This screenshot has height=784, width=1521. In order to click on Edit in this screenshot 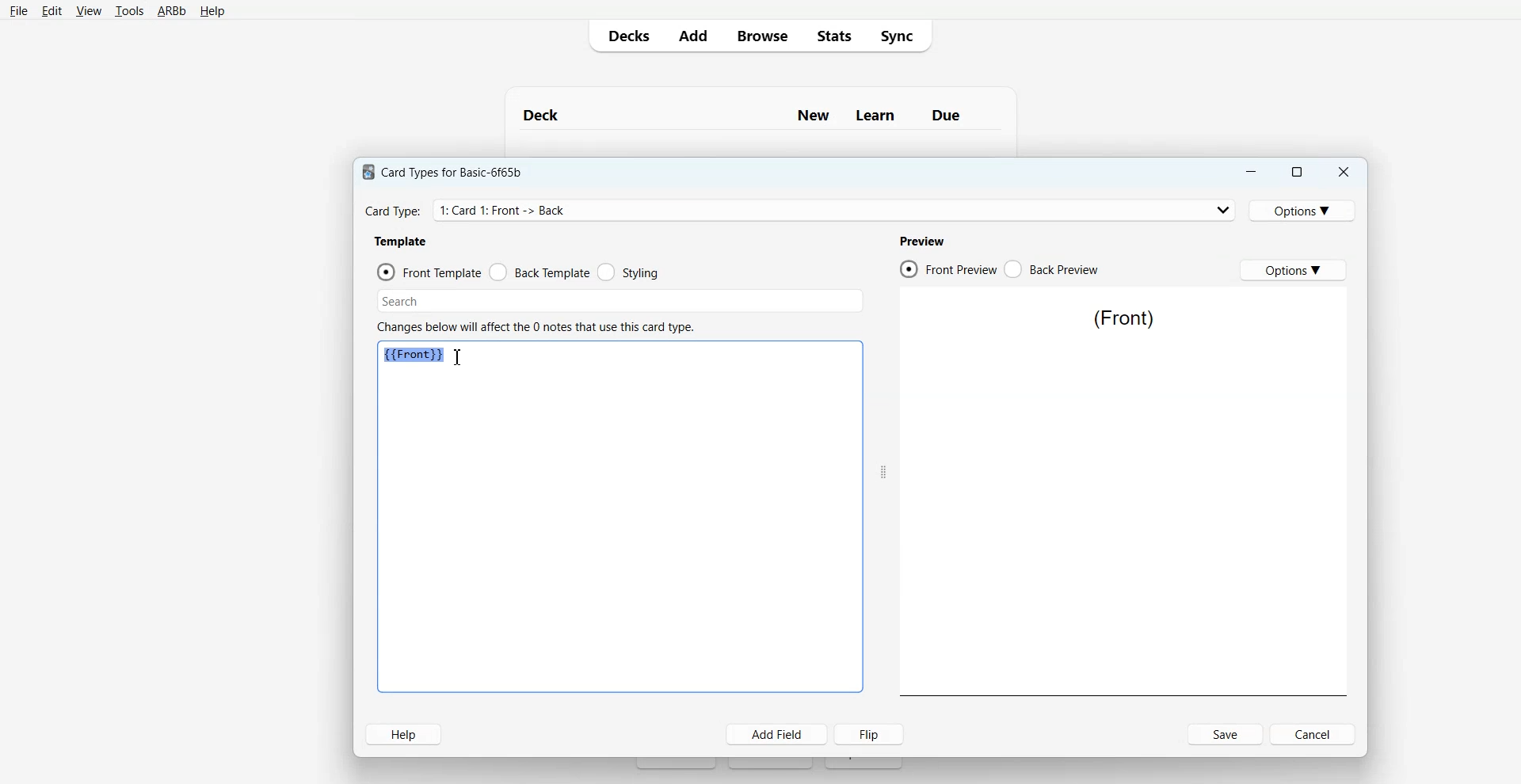, I will do `click(51, 10)`.